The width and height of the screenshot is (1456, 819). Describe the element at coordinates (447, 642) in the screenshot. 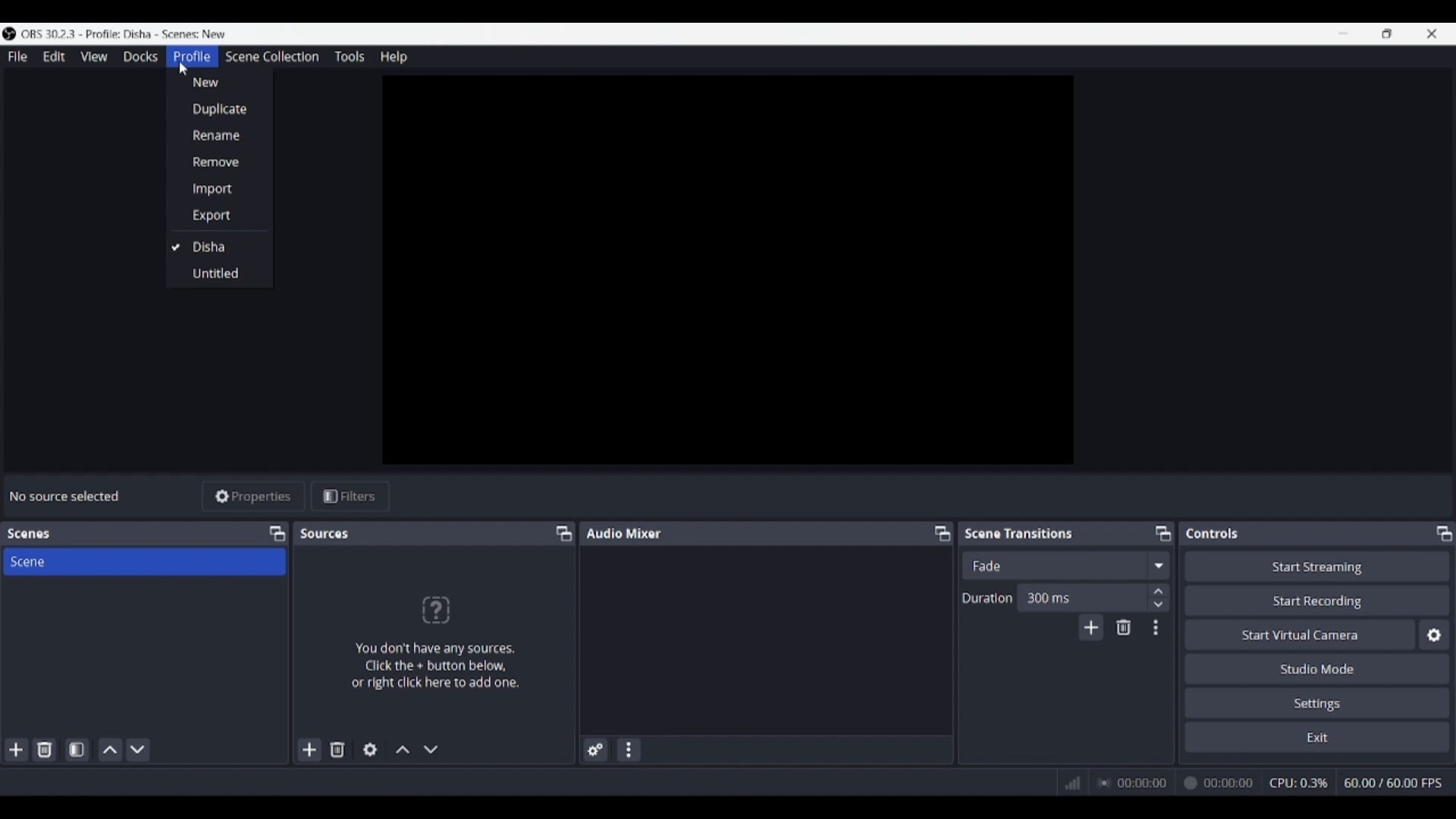

I see `Panel logo and text` at that location.